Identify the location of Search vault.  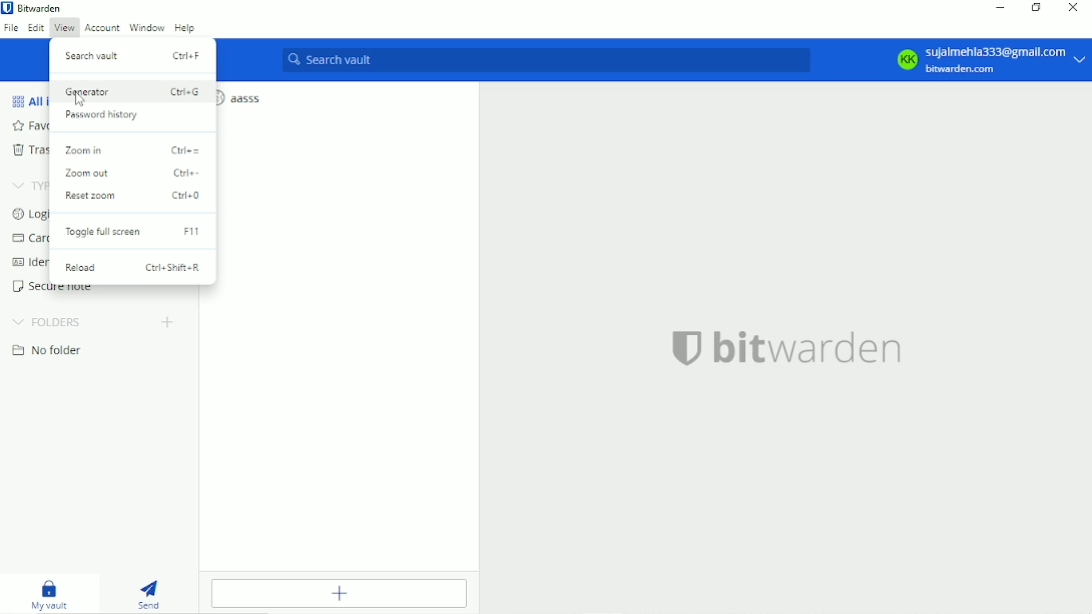
(549, 61).